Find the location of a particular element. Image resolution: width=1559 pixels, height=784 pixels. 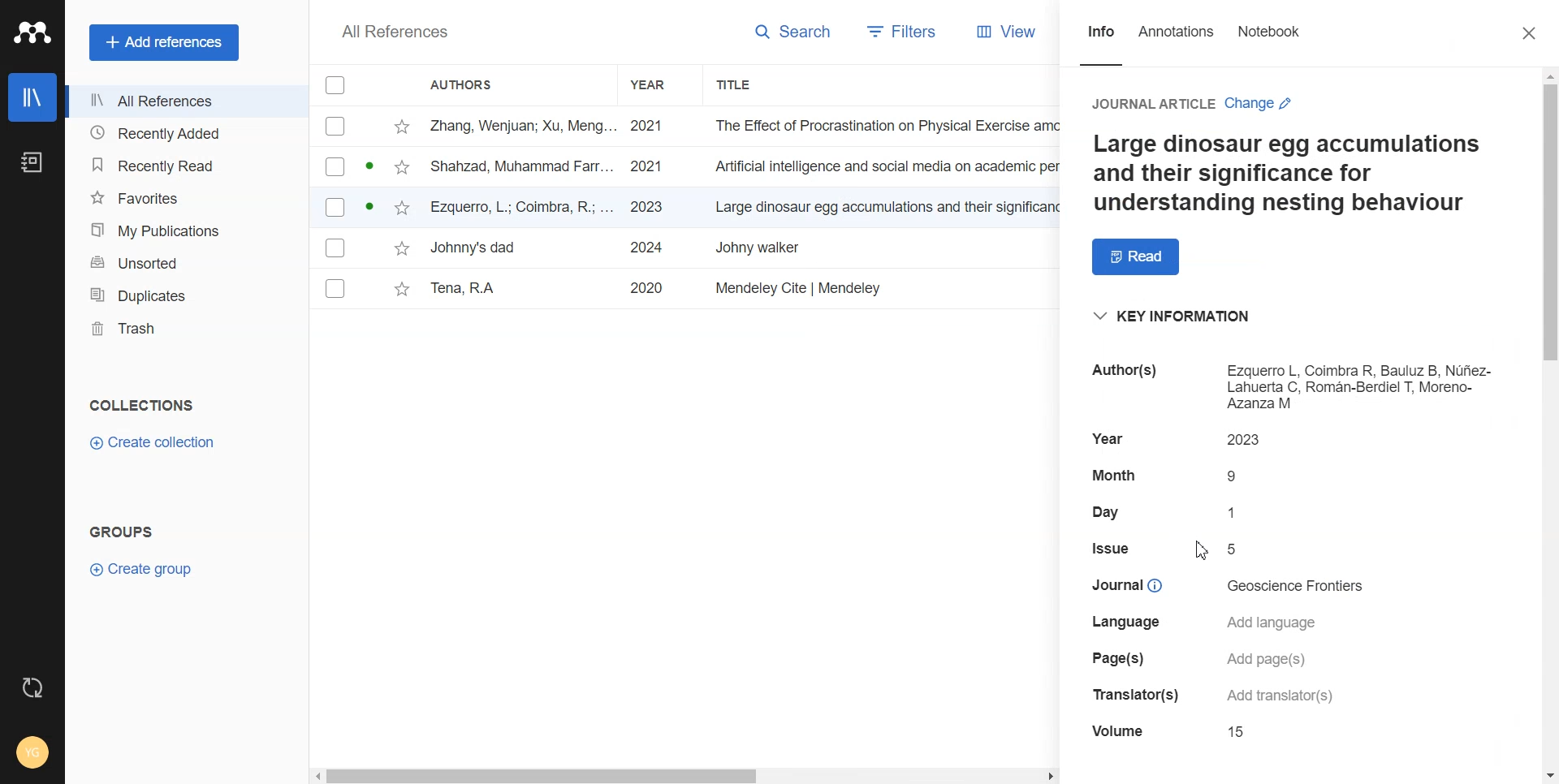

Text is located at coordinates (1289, 175).